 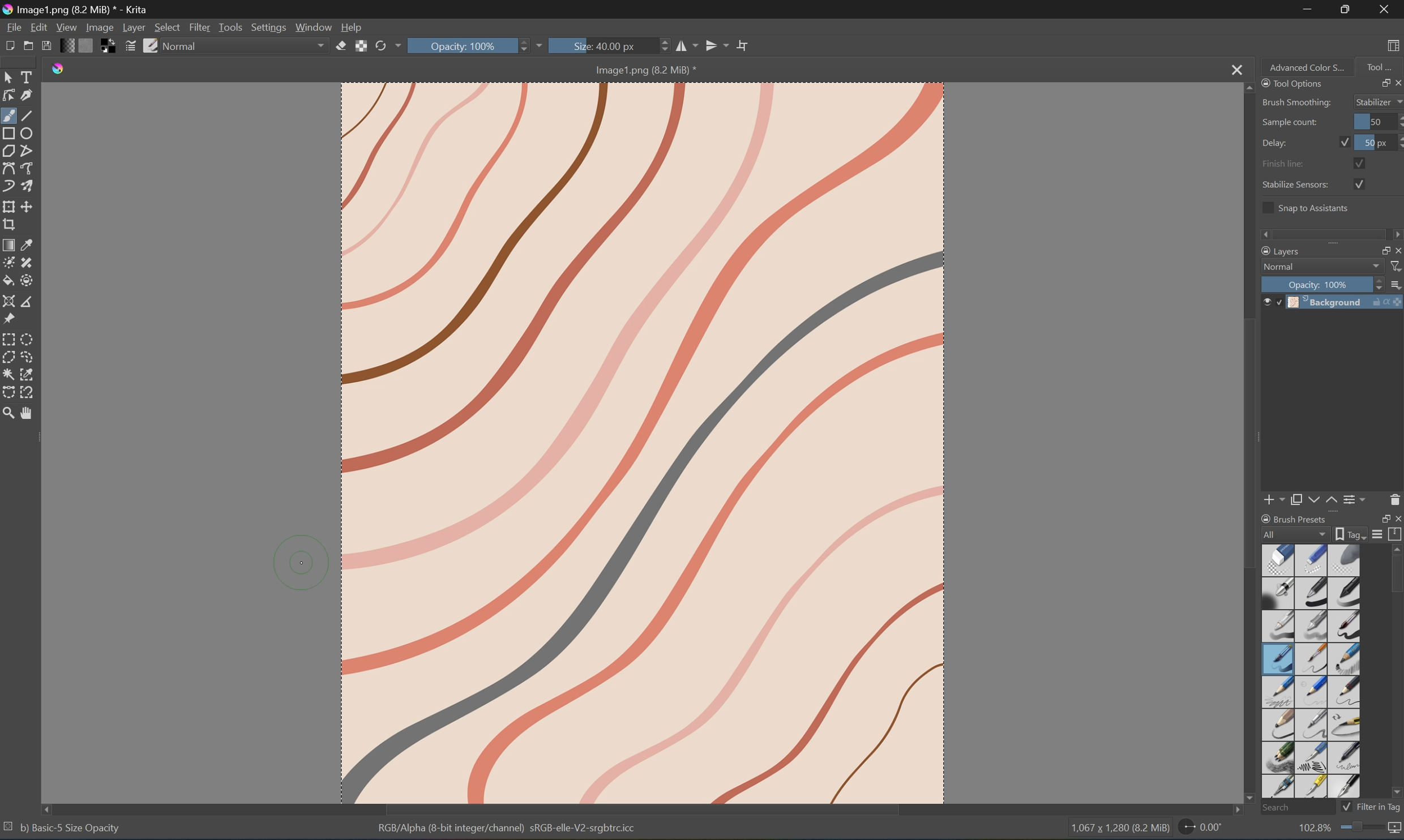 I want to click on Checkbox, so click(x=1346, y=141).